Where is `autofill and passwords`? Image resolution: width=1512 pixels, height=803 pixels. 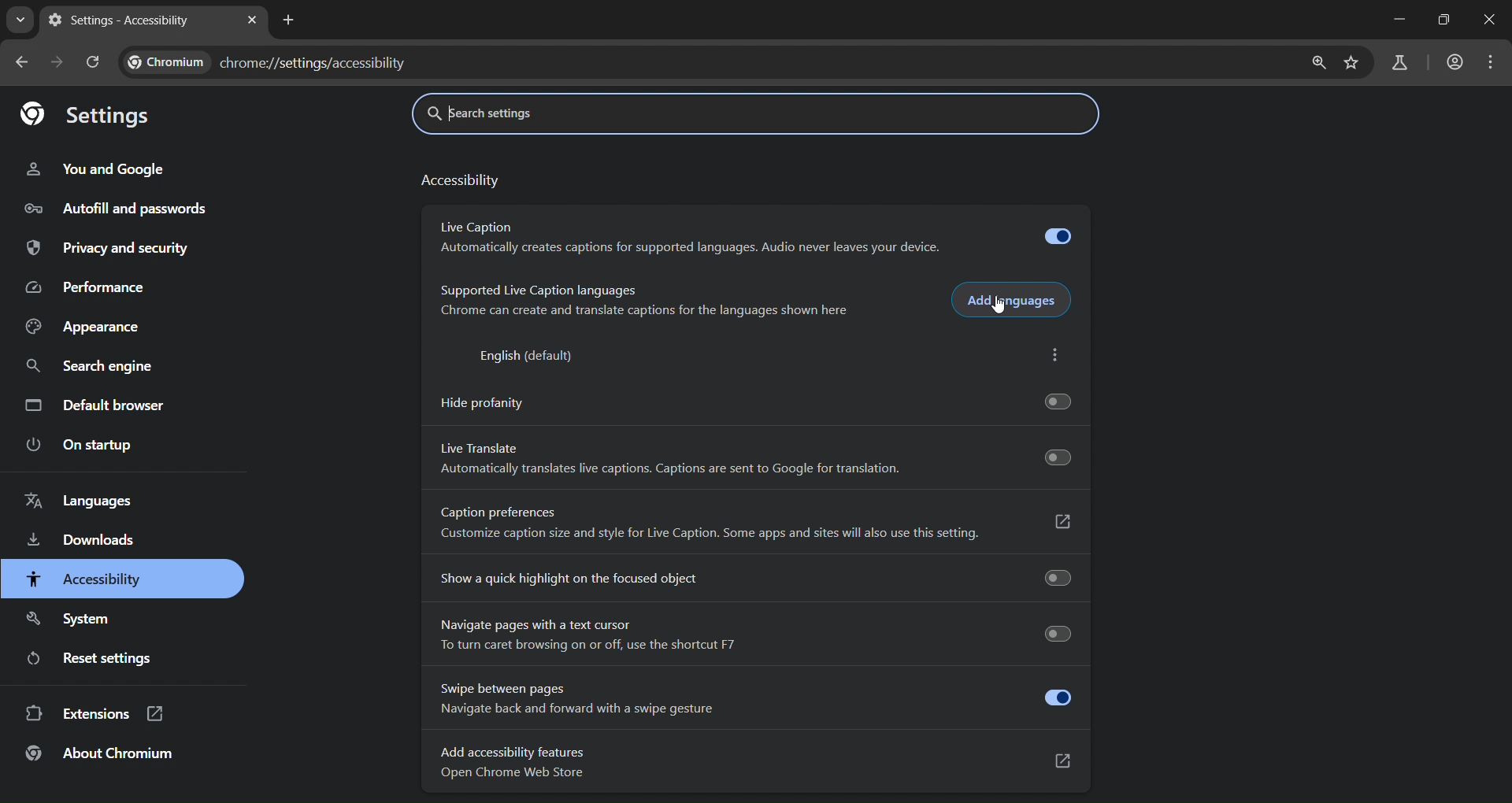 autofill and passwords is located at coordinates (117, 210).